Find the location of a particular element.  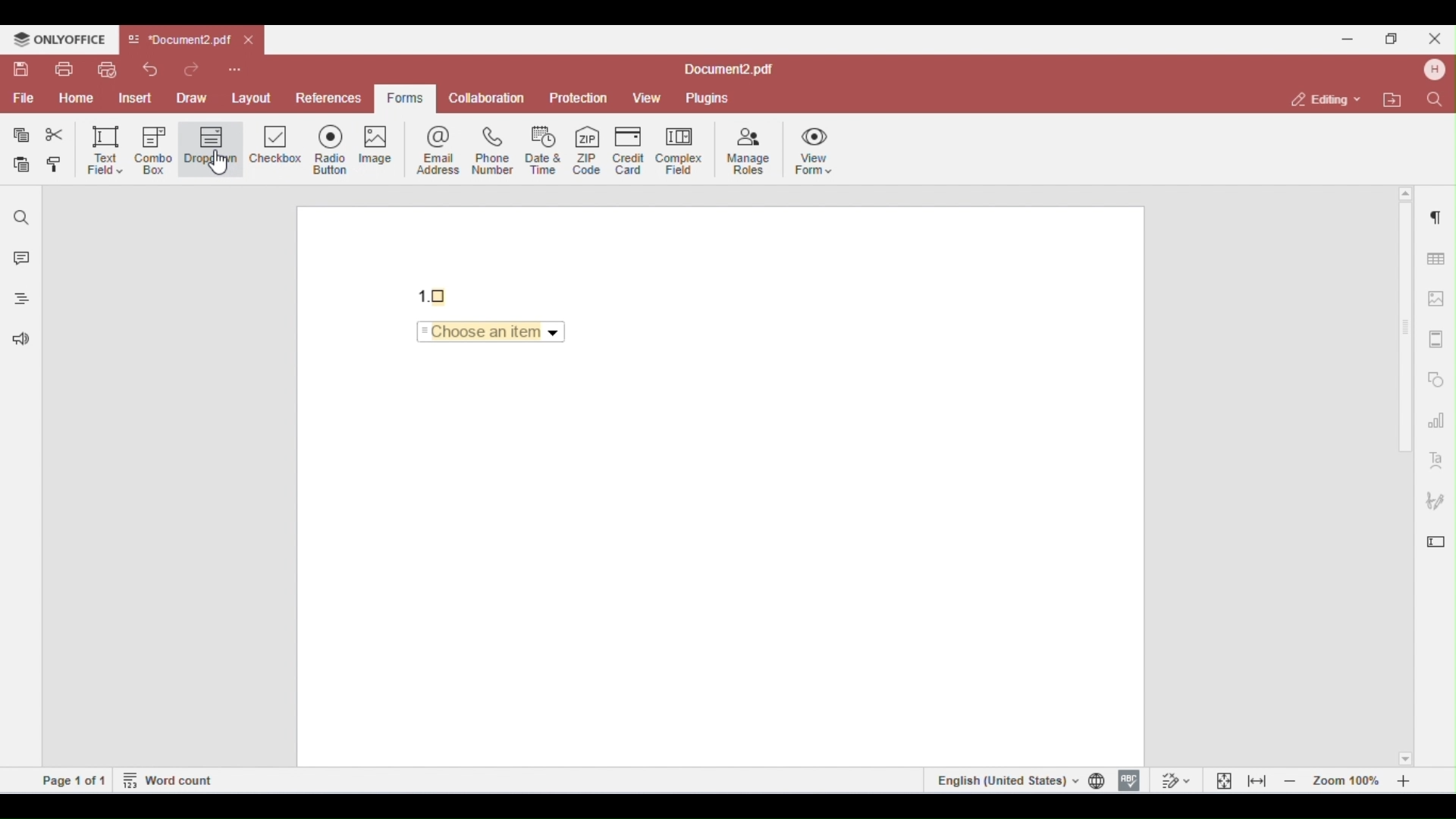

drop down is located at coordinates (211, 147).